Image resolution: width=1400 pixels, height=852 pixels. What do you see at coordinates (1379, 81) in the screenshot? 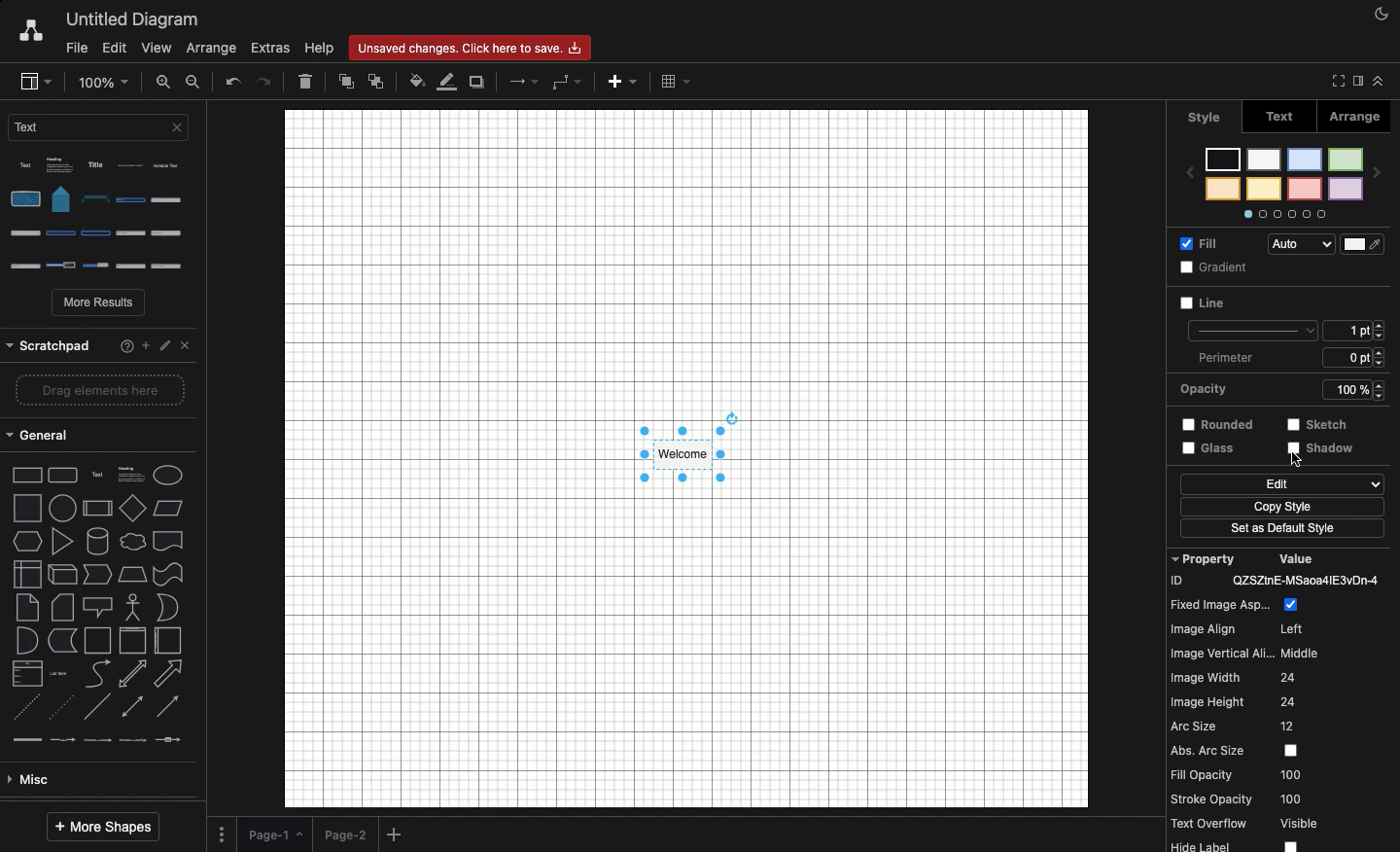
I see `Collapse` at bounding box center [1379, 81].